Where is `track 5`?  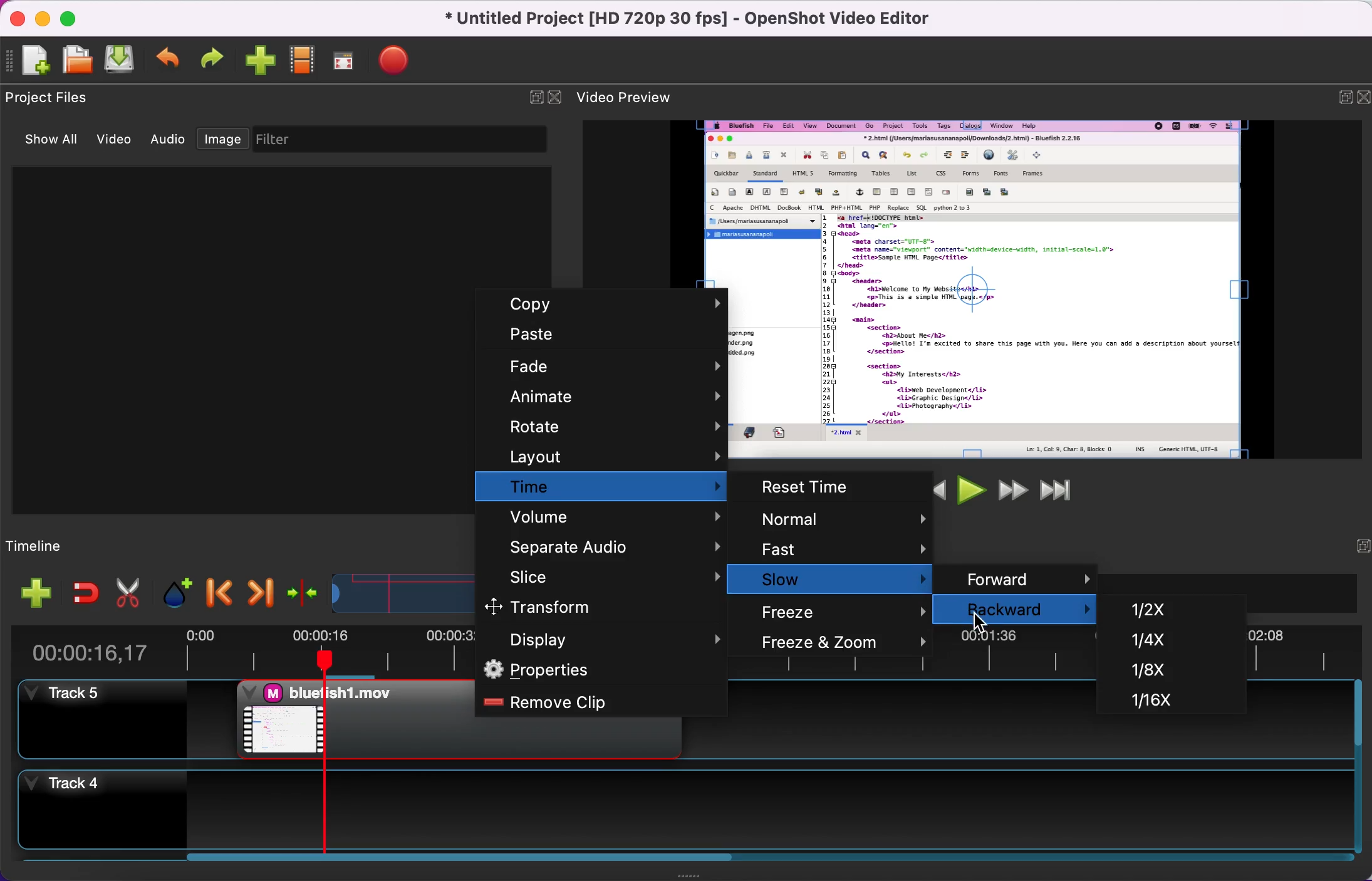 track 5 is located at coordinates (100, 720).